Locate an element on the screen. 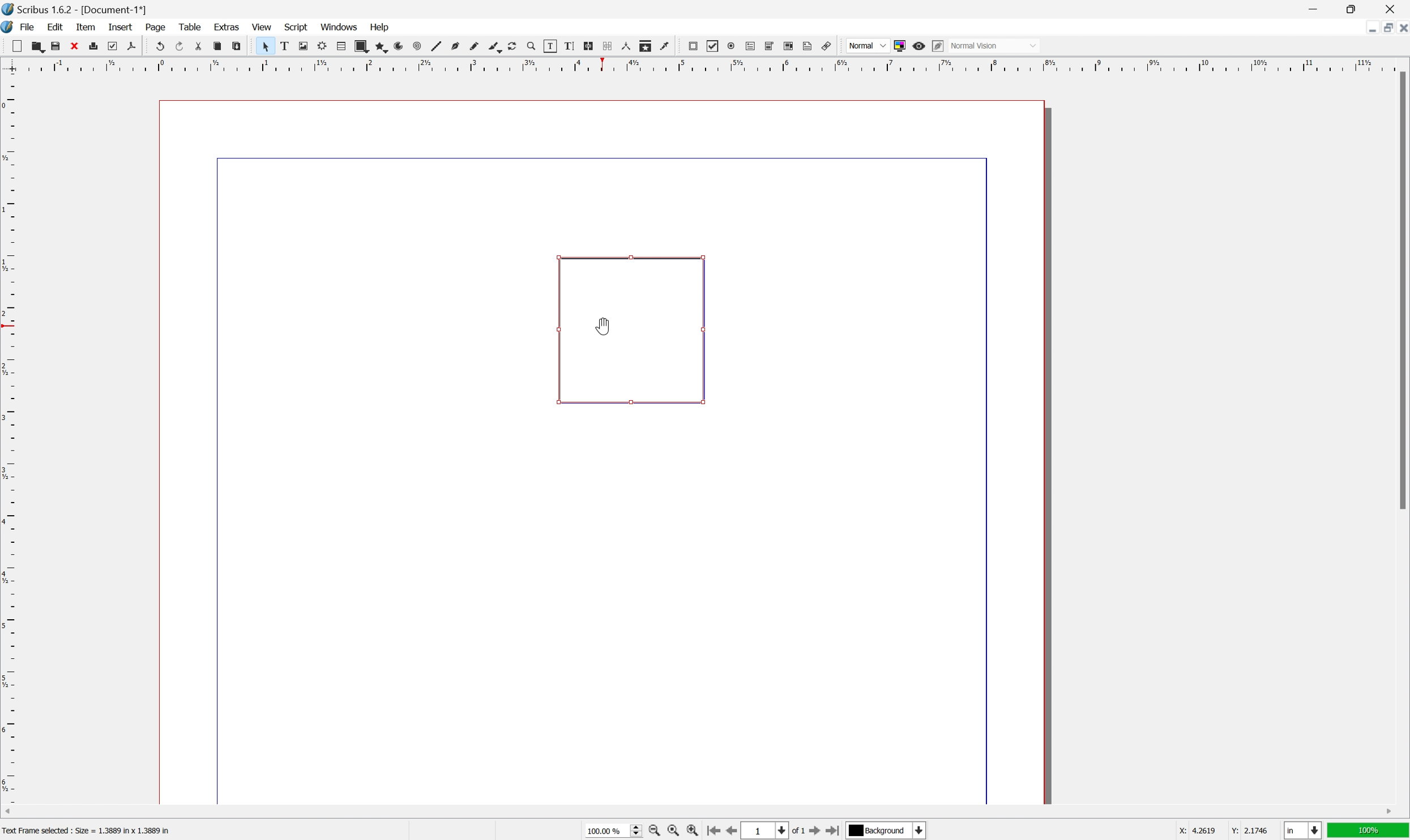 The image size is (1410, 840). pdf list box is located at coordinates (790, 45).